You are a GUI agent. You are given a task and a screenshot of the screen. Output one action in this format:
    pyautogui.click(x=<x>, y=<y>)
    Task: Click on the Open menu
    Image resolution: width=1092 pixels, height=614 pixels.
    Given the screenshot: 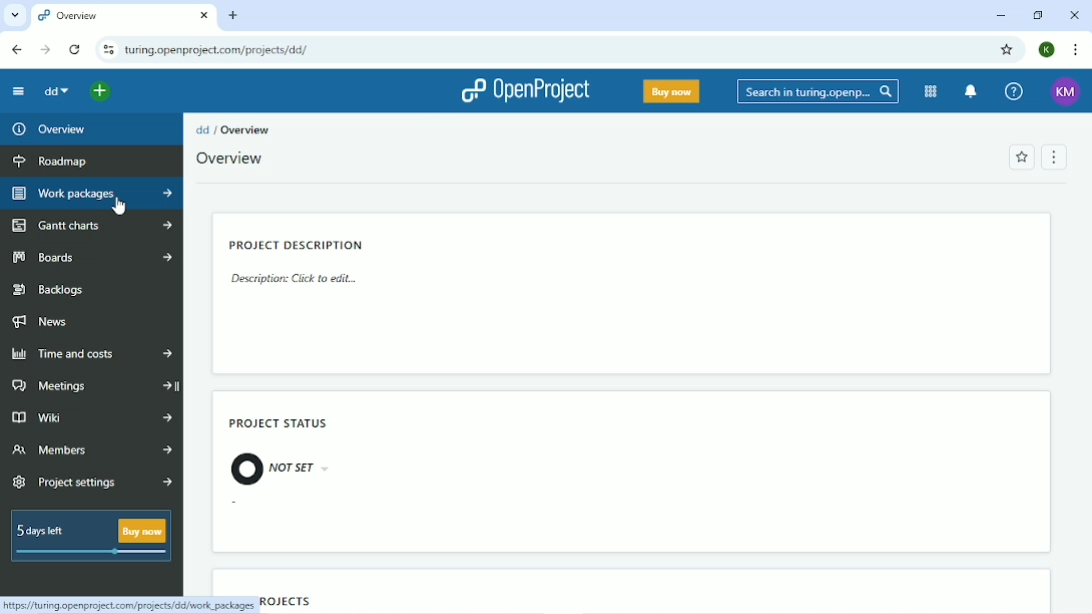 What is the action you would take?
    pyautogui.click(x=1058, y=156)
    